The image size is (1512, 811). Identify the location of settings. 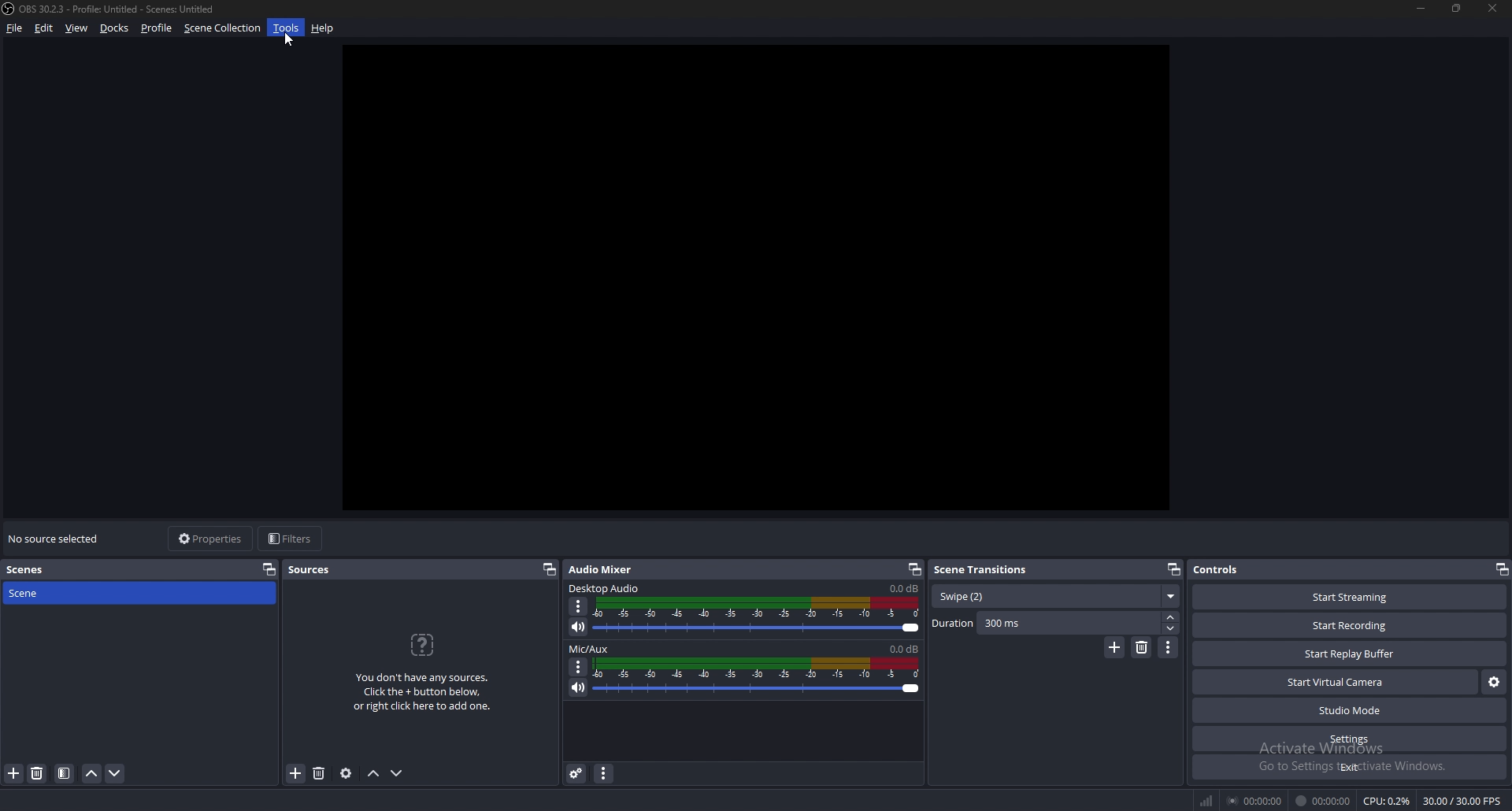
(1351, 739).